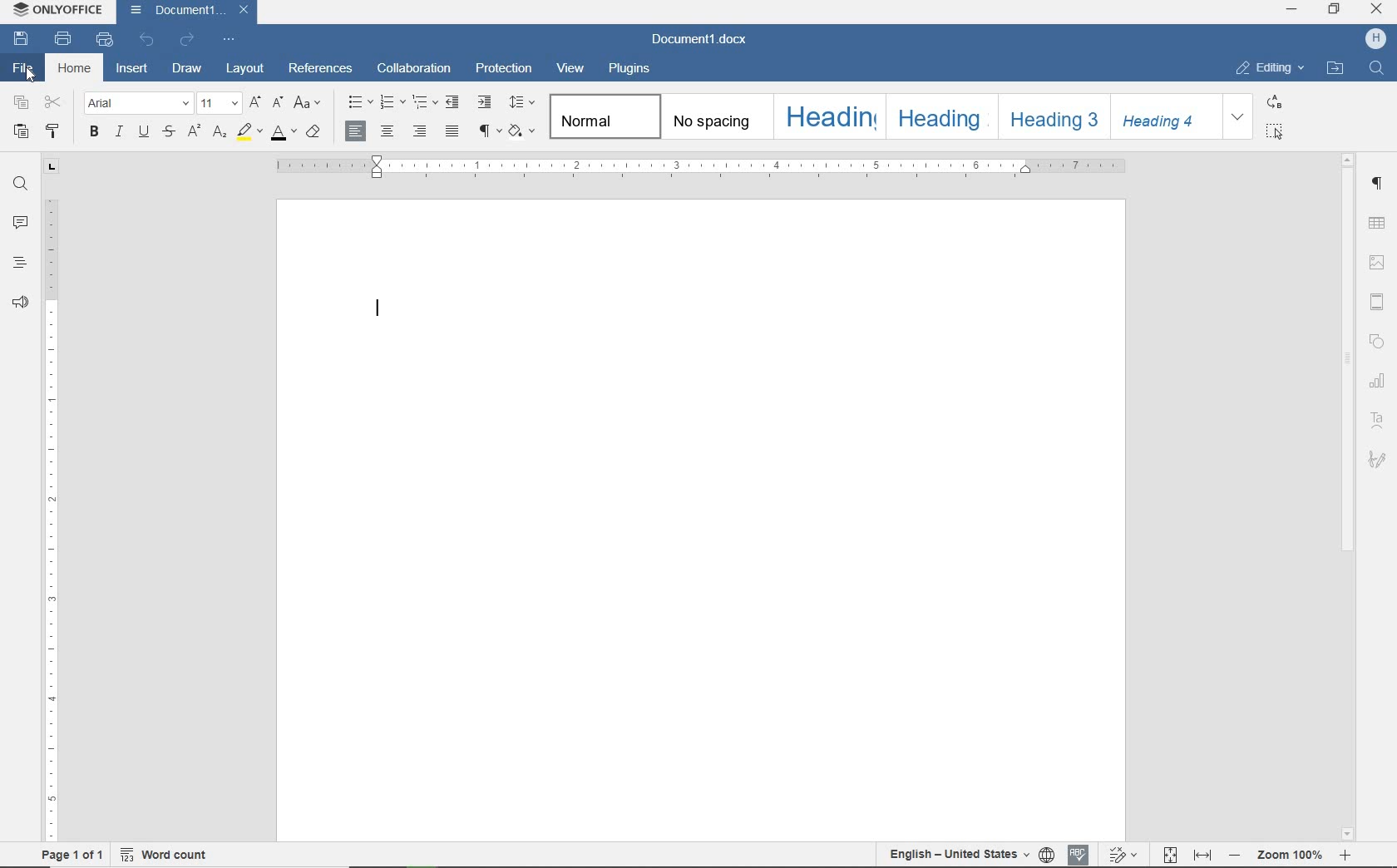 The image size is (1397, 868). What do you see at coordinates (149, 42) in the screenshot?
I see `undo` at bounding box center [149, 42].